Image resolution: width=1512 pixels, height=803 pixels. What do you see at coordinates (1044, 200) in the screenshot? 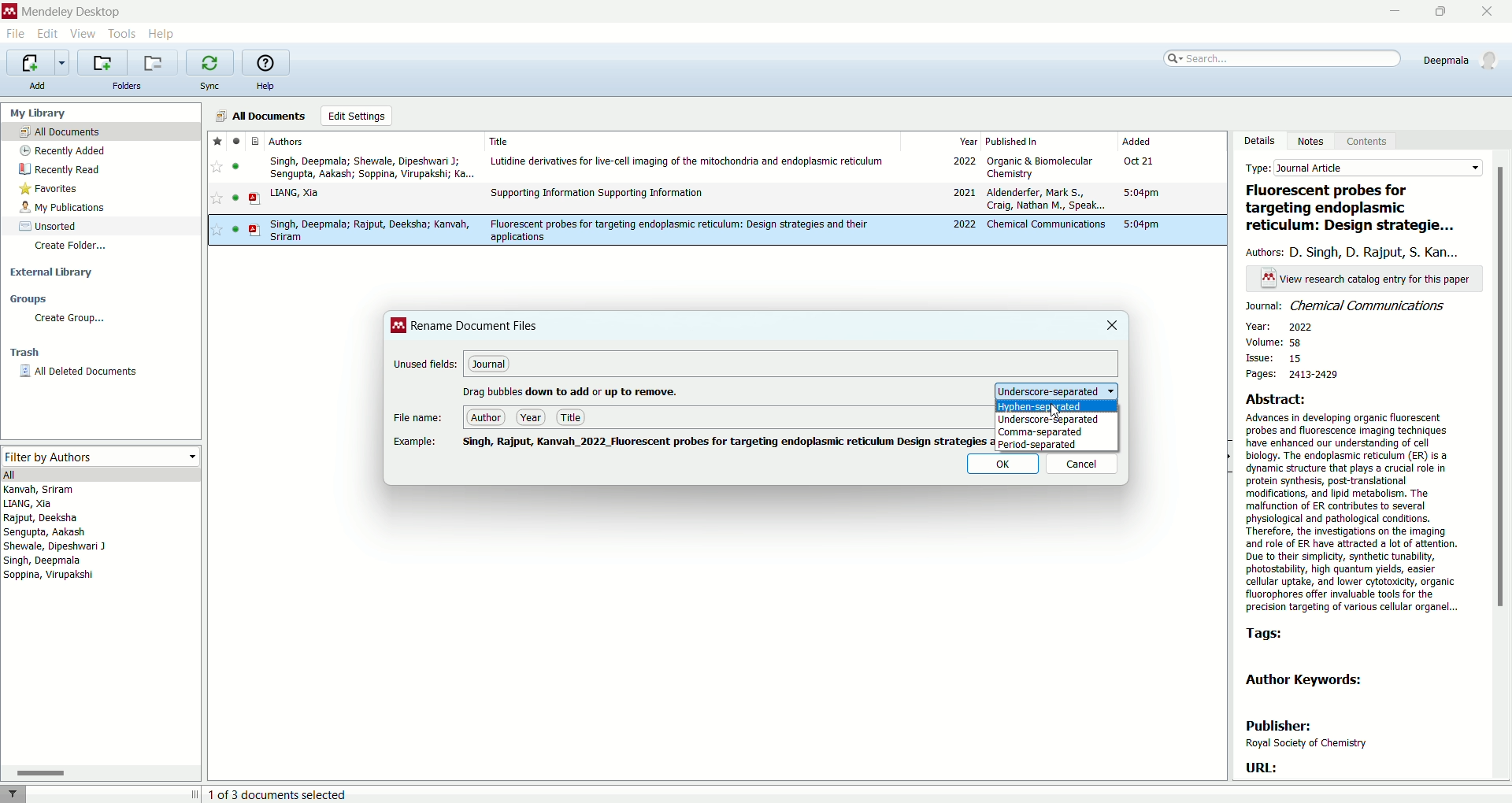
I see `Aldenderfer, Mark S, Craig, Nathan M, Speak` at bounding box center [1044, 200].